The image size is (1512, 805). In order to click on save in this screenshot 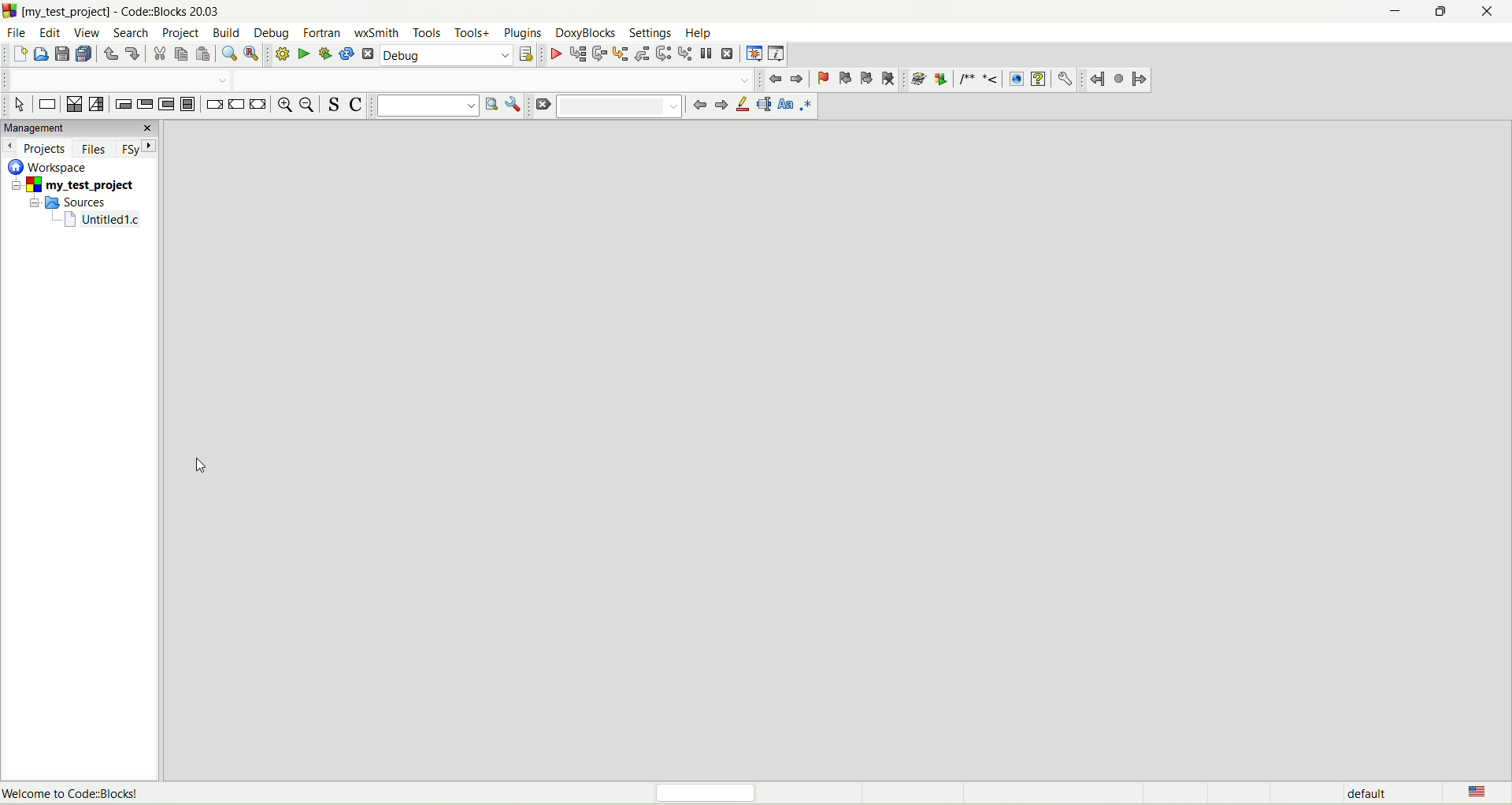, I will do `click(63, 55)`.